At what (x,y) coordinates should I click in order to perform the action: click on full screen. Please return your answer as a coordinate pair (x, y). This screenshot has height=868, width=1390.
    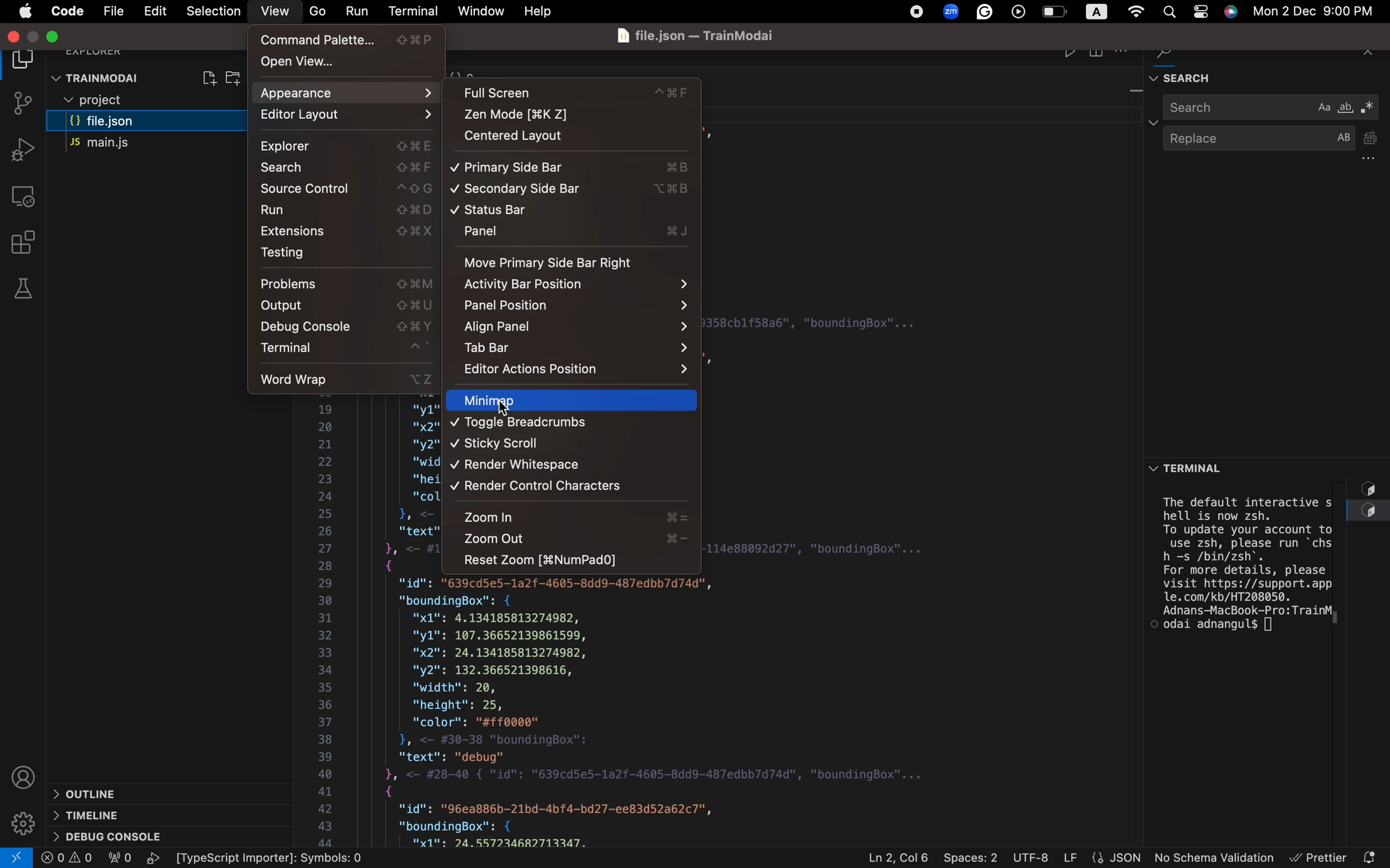
    Looking at the image, I should click on (573, 91).